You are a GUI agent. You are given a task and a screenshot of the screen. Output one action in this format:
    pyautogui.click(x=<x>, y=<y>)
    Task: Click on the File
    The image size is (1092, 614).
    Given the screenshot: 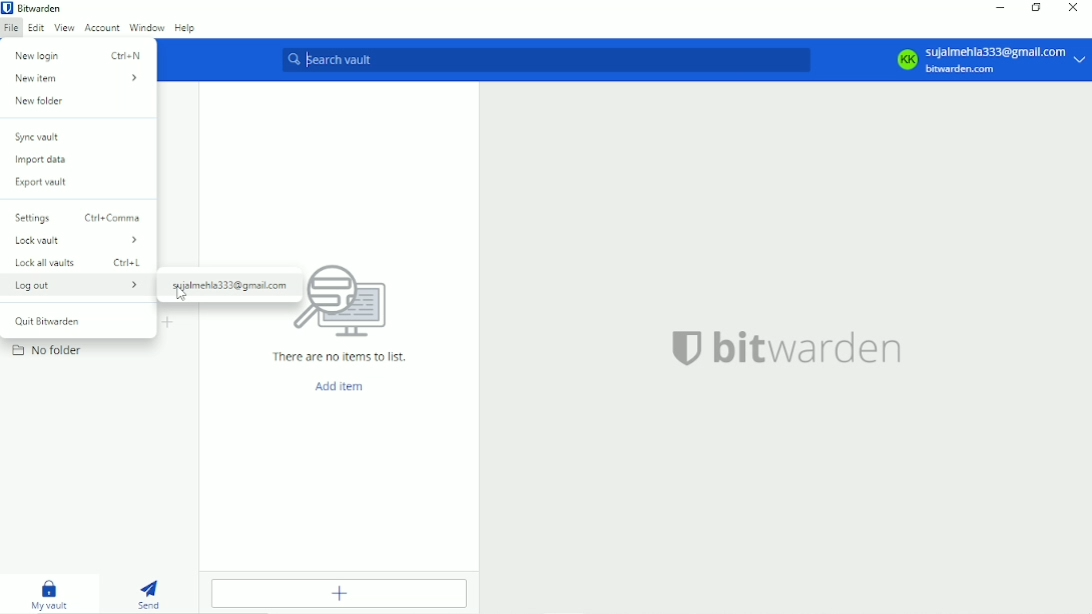 What is the action you would take?
    pyautogui.click(x=10, y=28)
    